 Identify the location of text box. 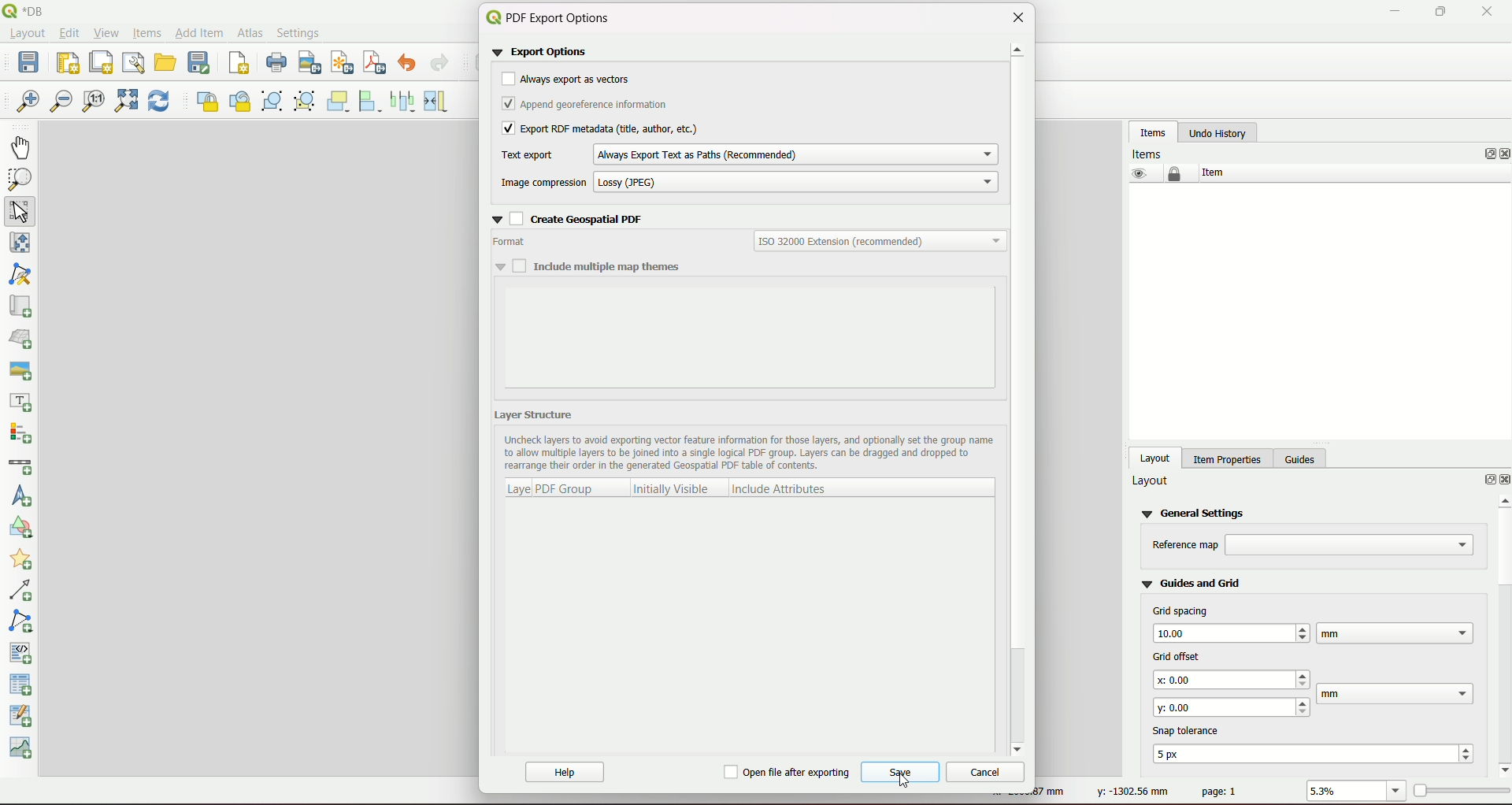
(1397, 694).